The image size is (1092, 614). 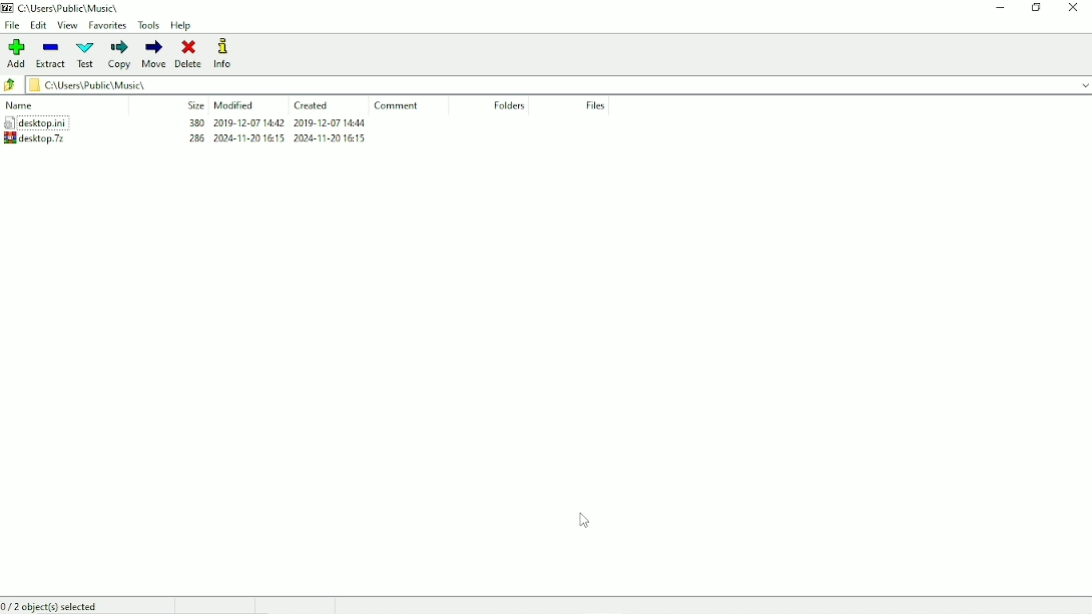 What do you see at coordinates (558, 84) in the screenshot?
I see `File location` at bounding box center [558, 84].